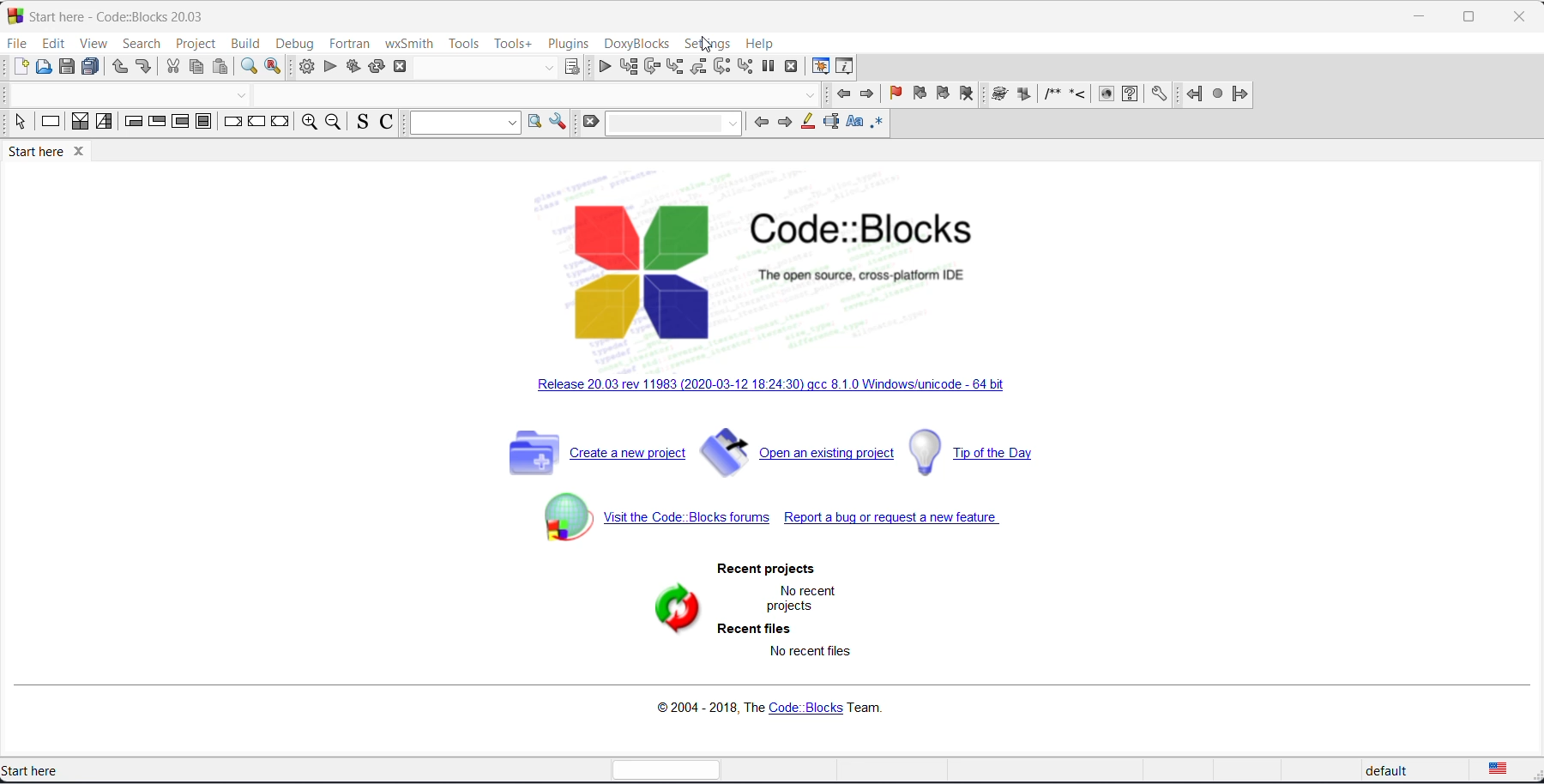 The image size is (1544, 784). What do you see at coordinates (400, 65) in the screenshot?
I see `abort` at bounding box center [400, 65].